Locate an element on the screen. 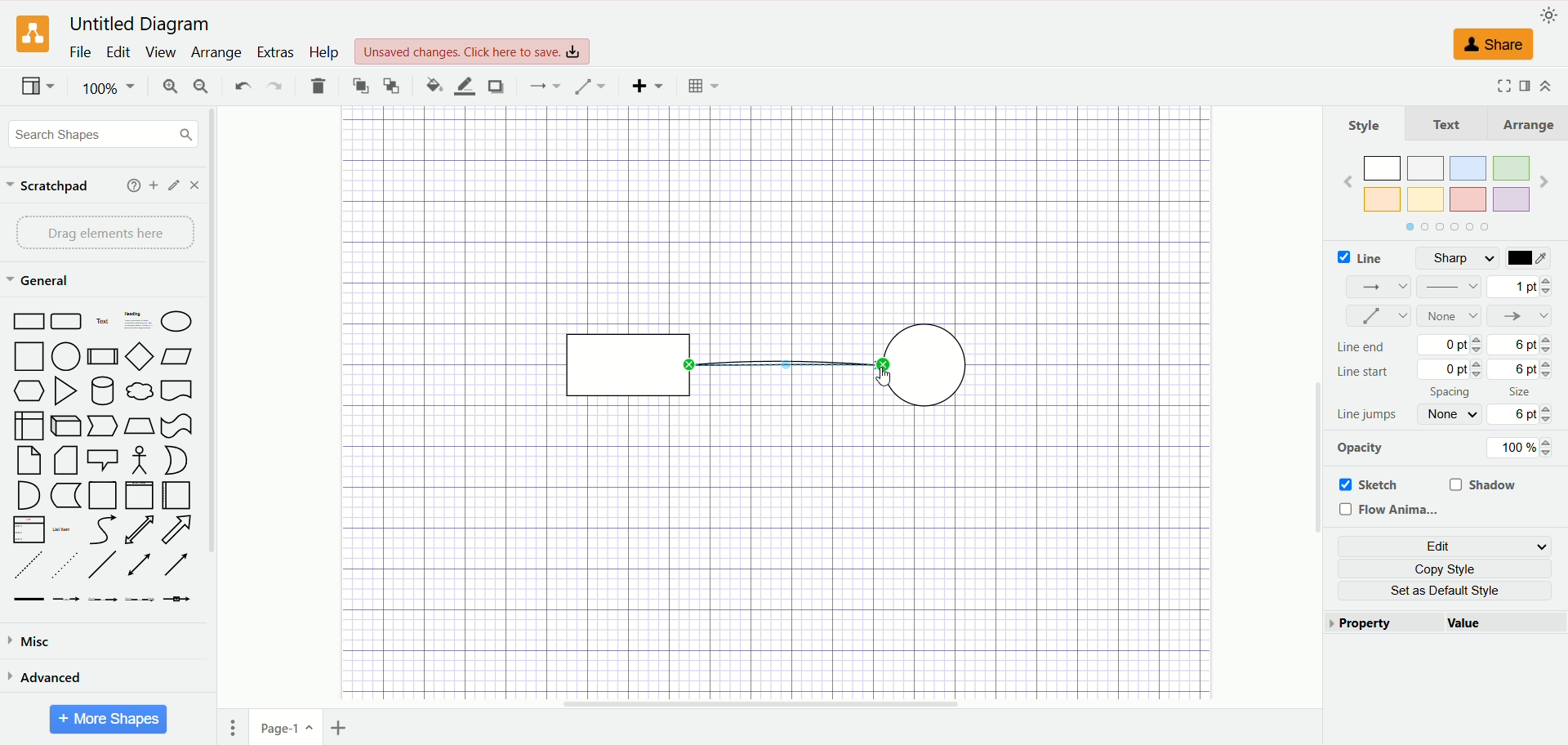  Color 8 is located at coordinates (1512, 199).